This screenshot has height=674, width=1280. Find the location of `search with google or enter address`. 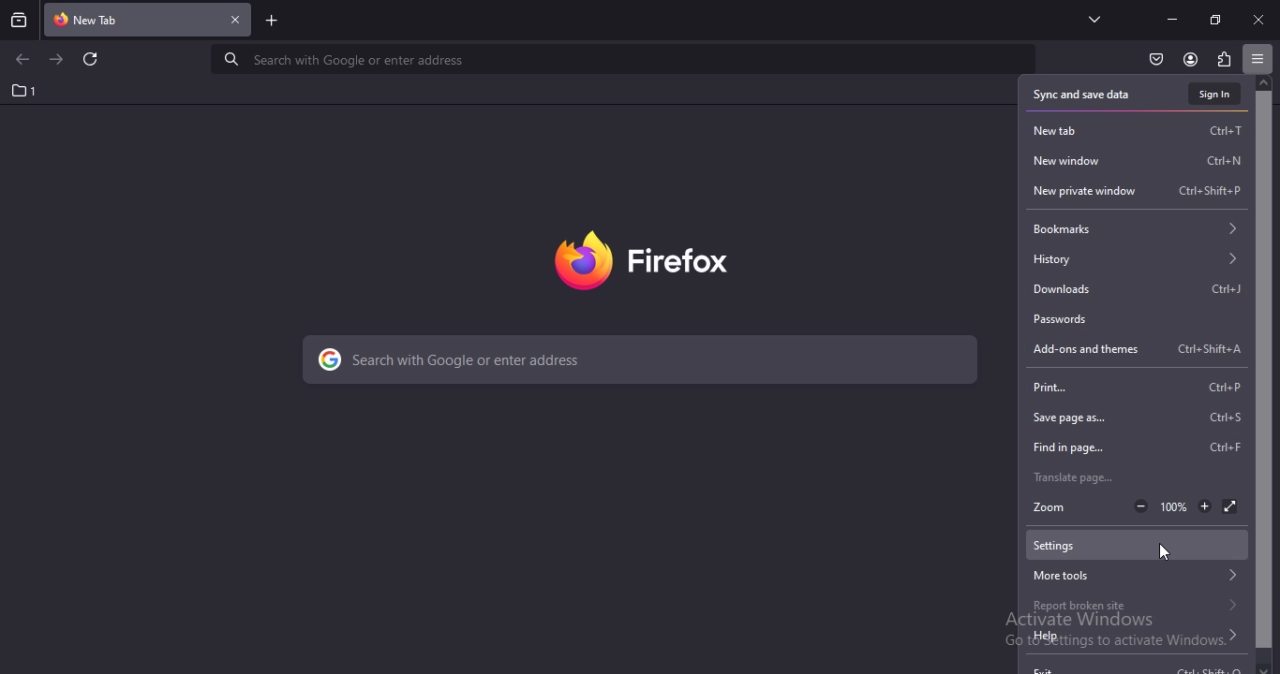

search with google or enter address is located at coordinates (618, 59).